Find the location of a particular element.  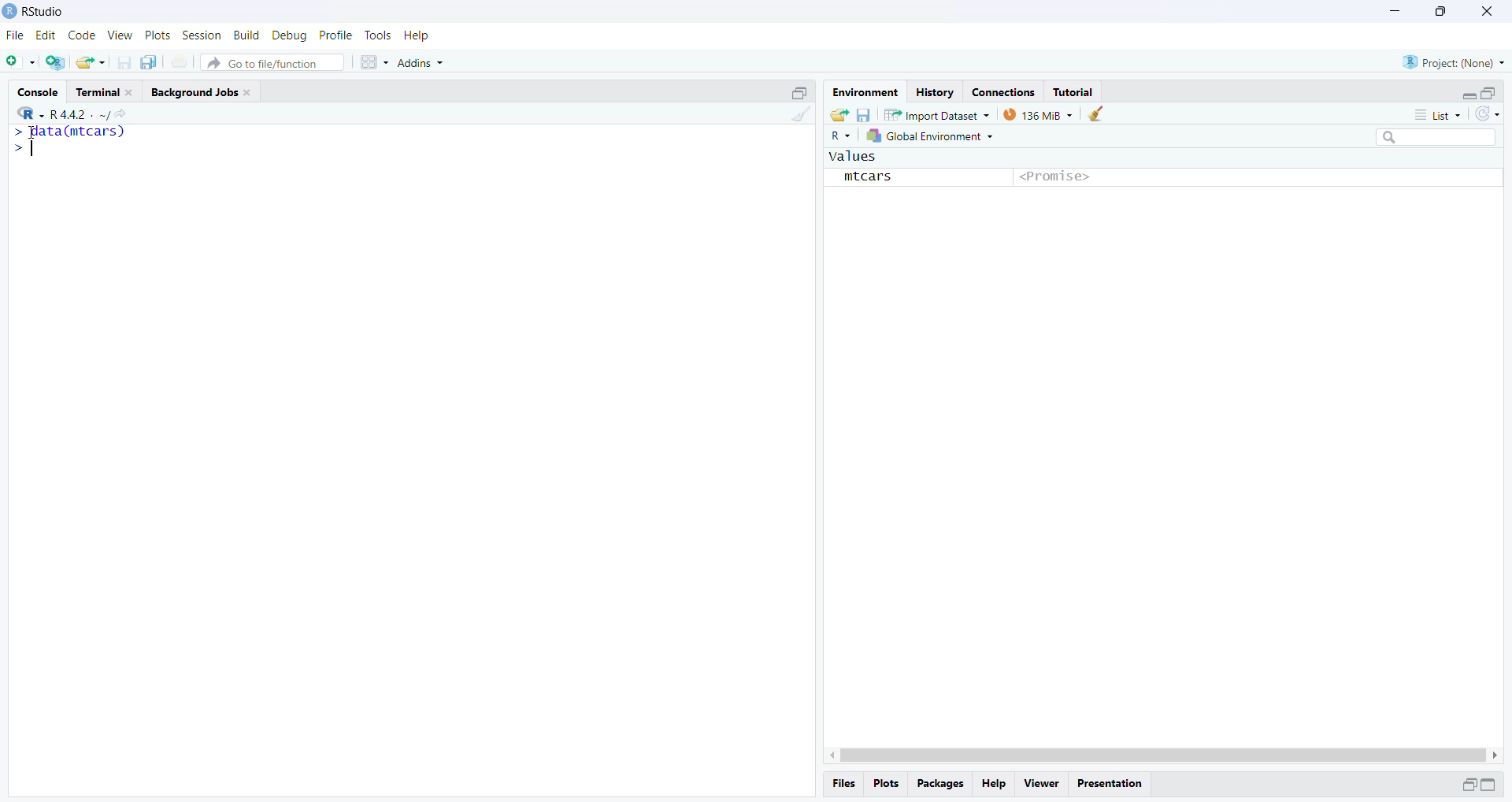

Import Dataset is located at coordinates (937, 114).